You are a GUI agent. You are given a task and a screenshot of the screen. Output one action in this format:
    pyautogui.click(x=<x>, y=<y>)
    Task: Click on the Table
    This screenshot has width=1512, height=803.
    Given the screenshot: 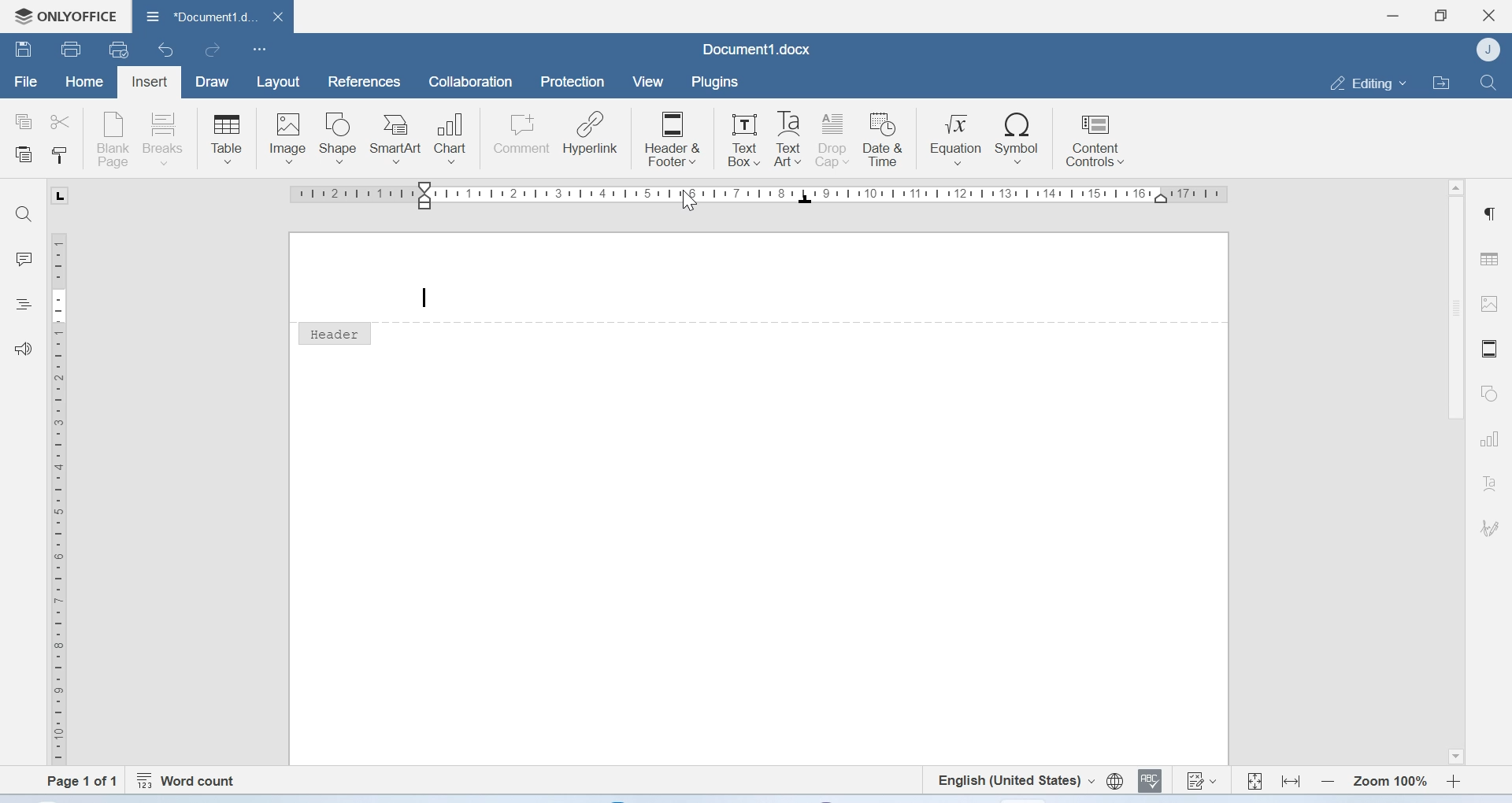 What is the action you would take?
    pyautogui.click(x=1492, y=254)
    